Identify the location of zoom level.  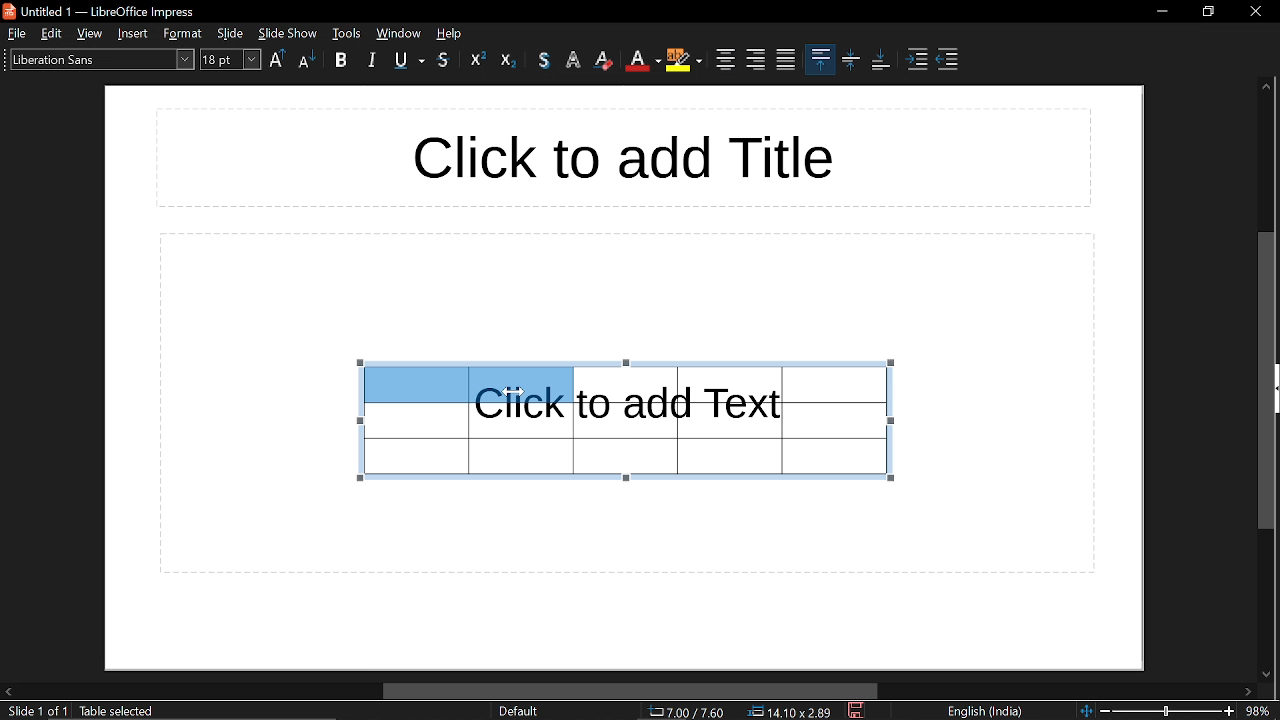
(1260, 710).